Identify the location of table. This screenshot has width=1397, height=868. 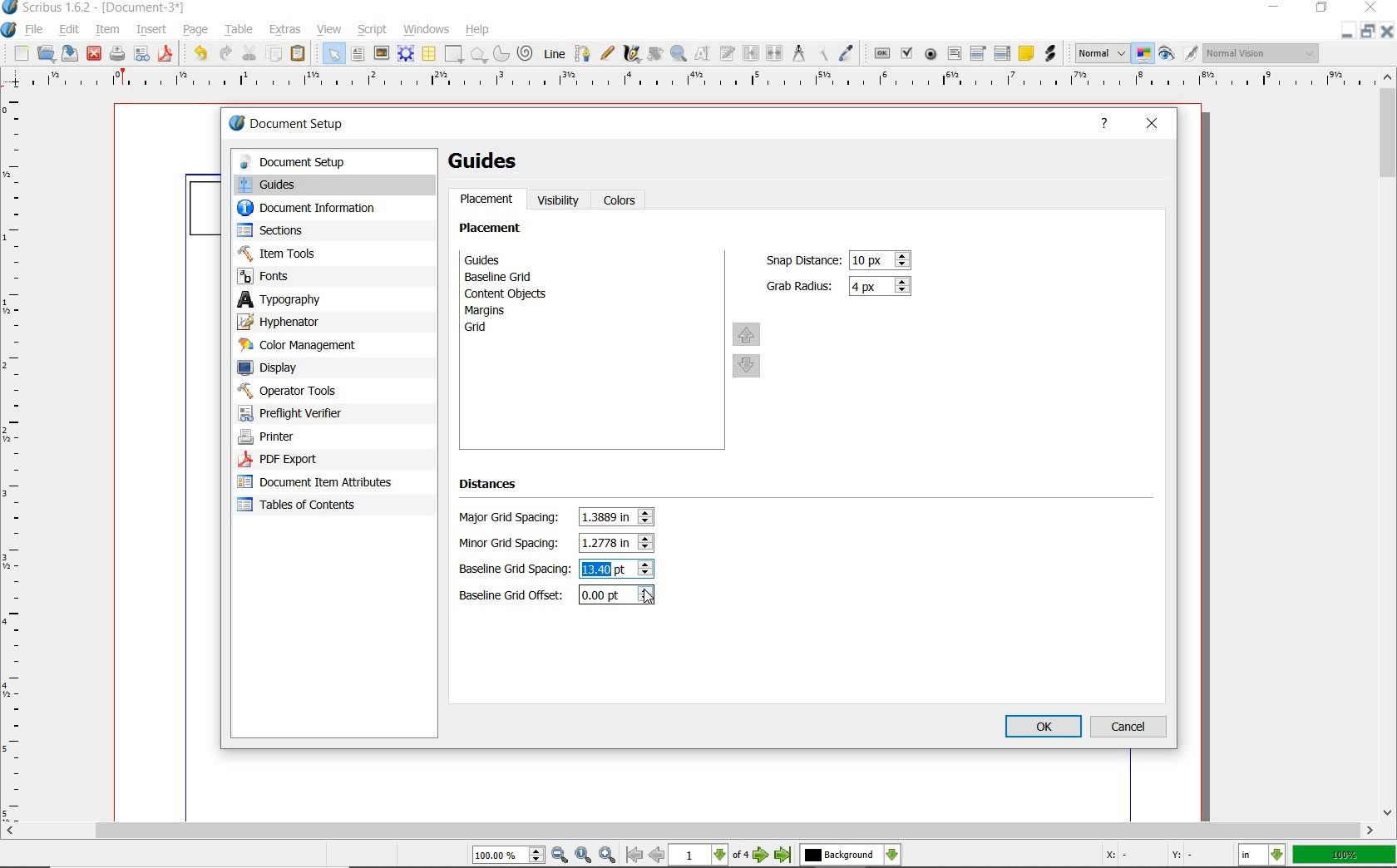
(429, 55).